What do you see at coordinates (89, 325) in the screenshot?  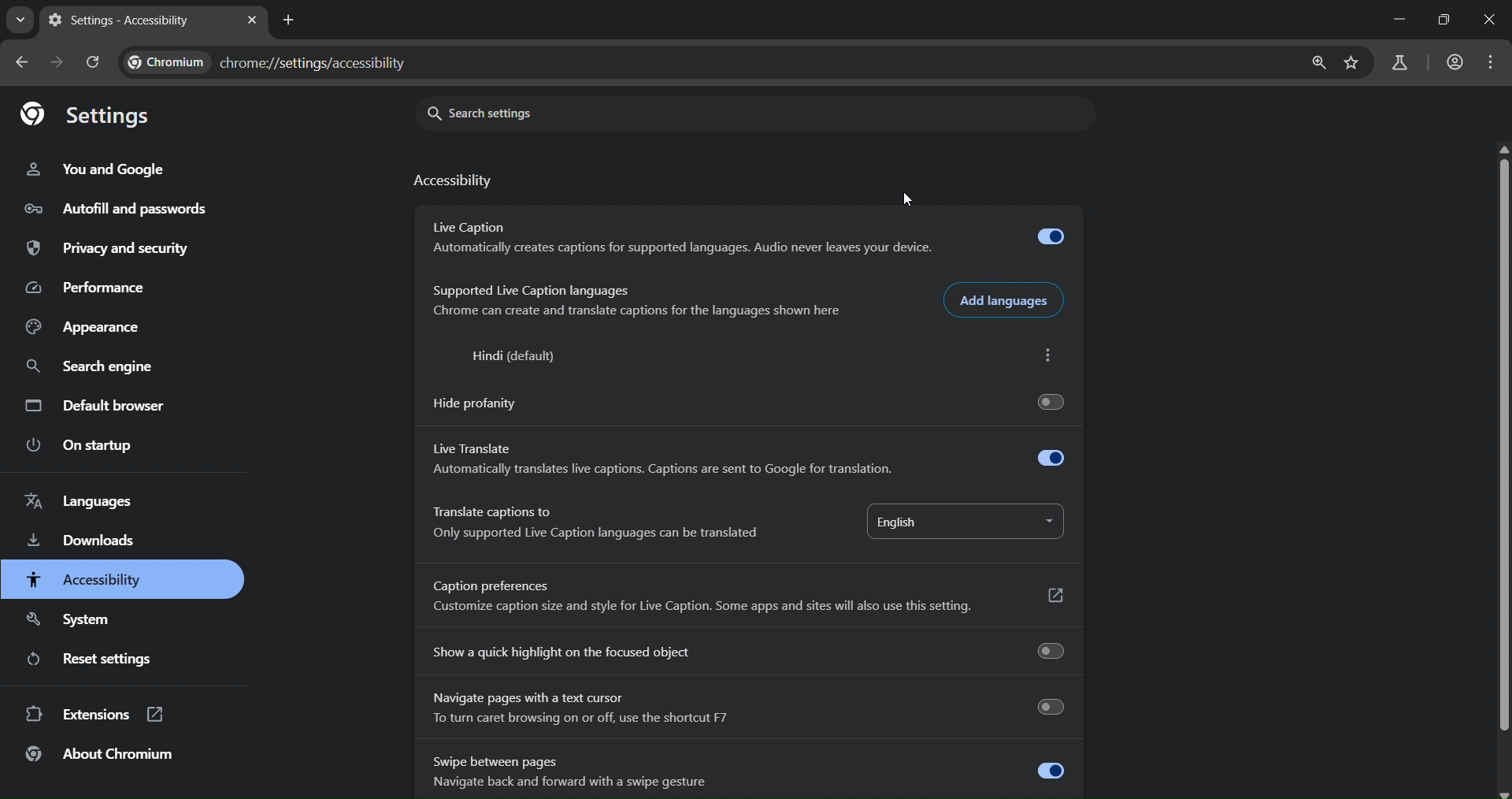 I see `appearance` at bounding box center [89, 325].